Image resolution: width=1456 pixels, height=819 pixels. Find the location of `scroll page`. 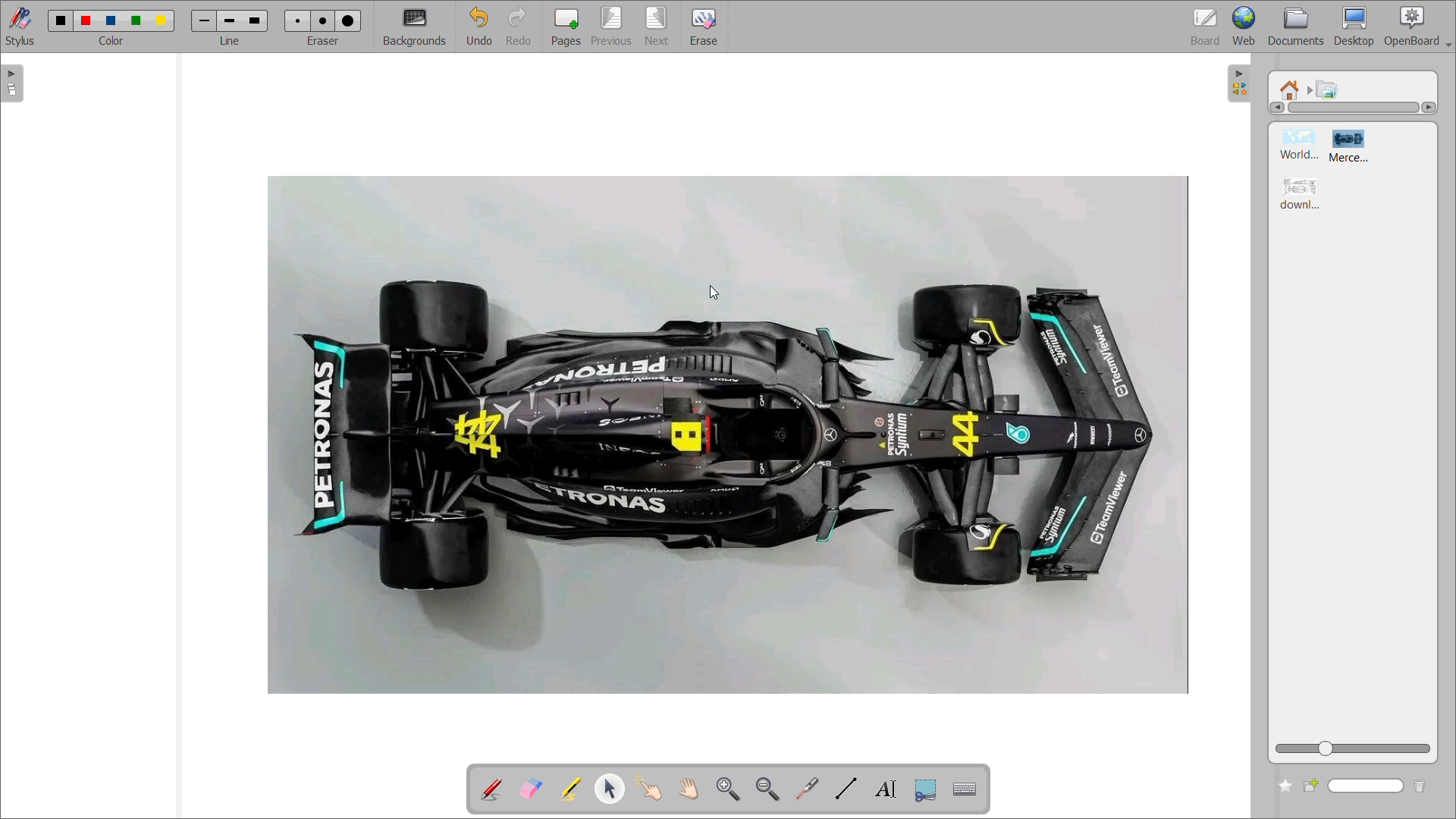

scroll page is located at coordinates (689, 787).